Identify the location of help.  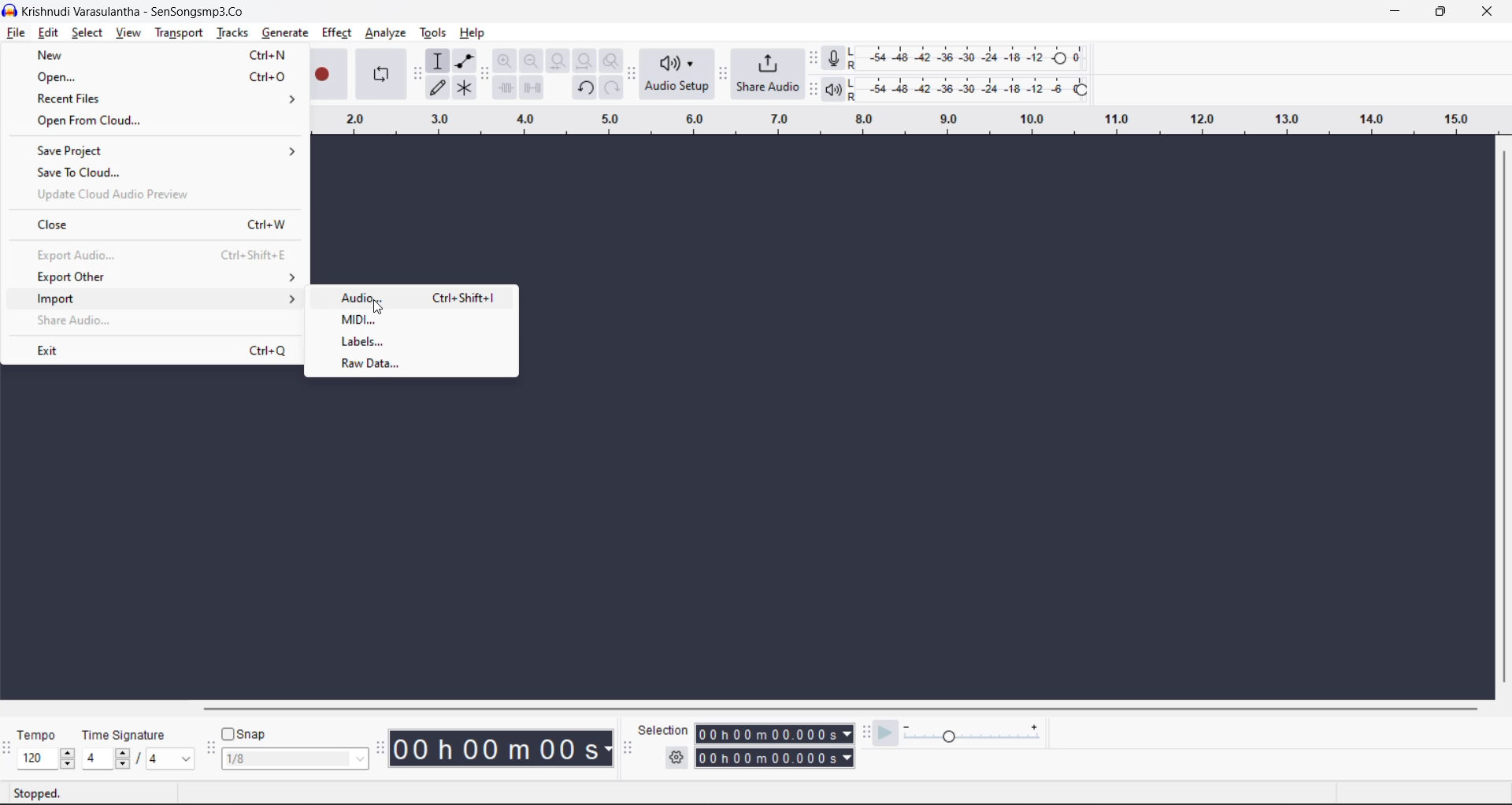
(473, 33).